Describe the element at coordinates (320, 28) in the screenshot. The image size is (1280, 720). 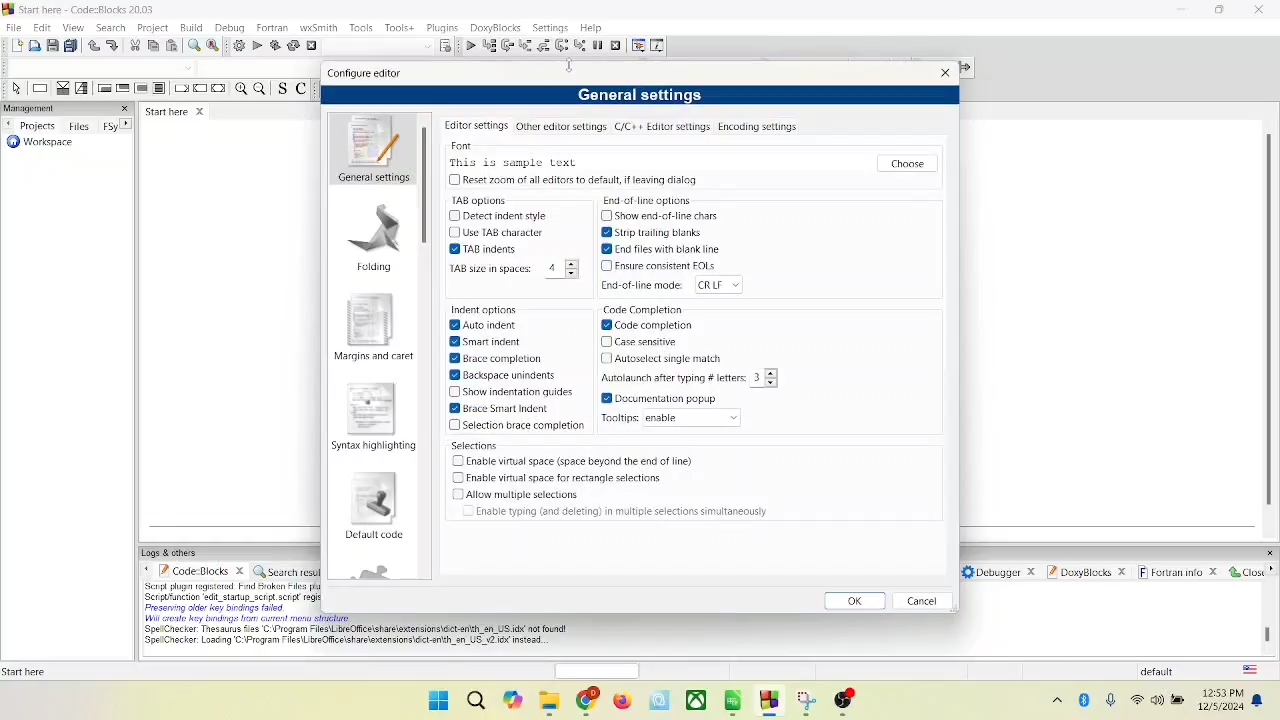
I see `wxSmith` at that location.